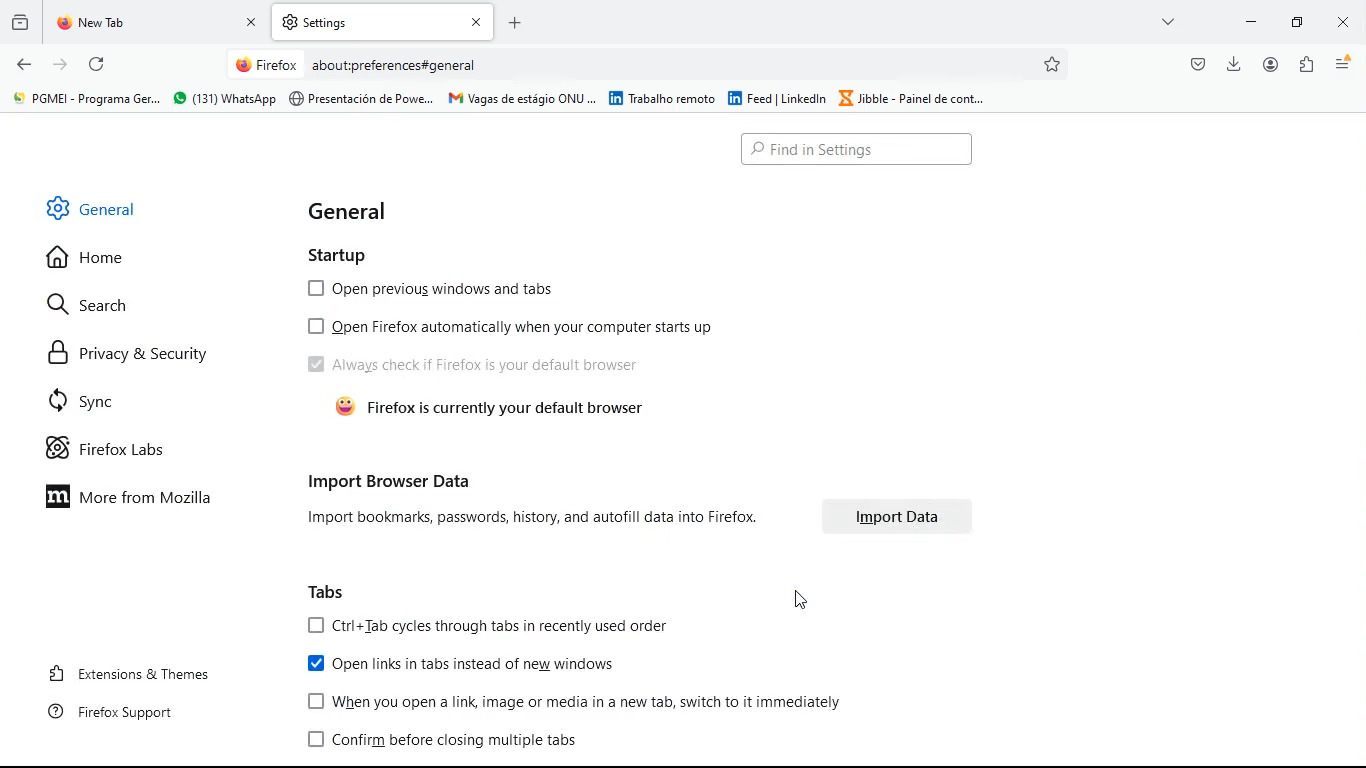 This screenshot has width=1366, height=768. What do you see at coordinates (477, 364) in the screenshot?
I see `Always check if Firefox is your default browser` at bounding box center [477, 364].